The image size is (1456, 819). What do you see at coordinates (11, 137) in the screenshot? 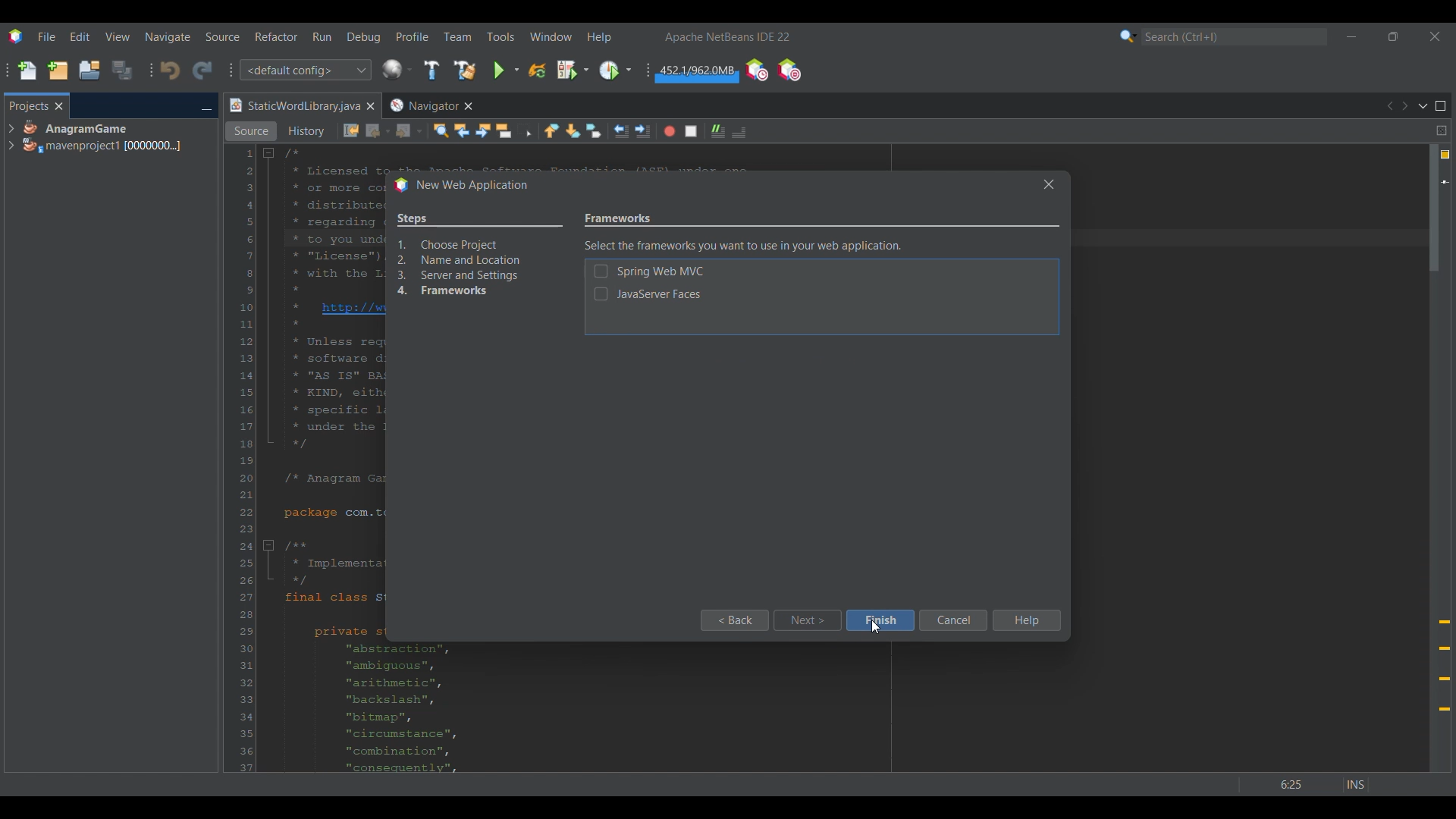
I see `Expand` at bounding box center [11, 137].